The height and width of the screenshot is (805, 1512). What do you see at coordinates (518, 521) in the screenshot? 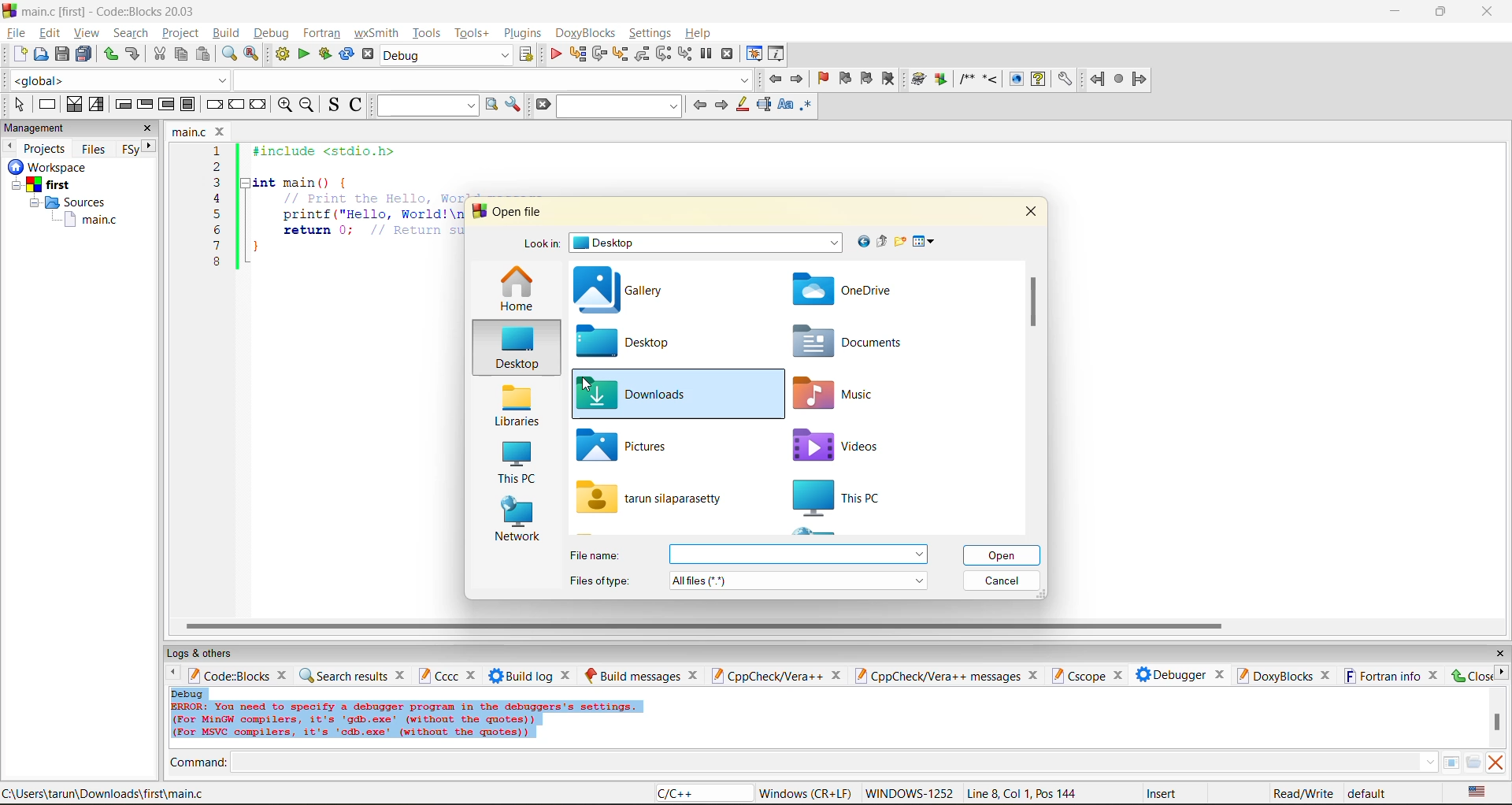
I see `network` at bounding box center [518, 521].